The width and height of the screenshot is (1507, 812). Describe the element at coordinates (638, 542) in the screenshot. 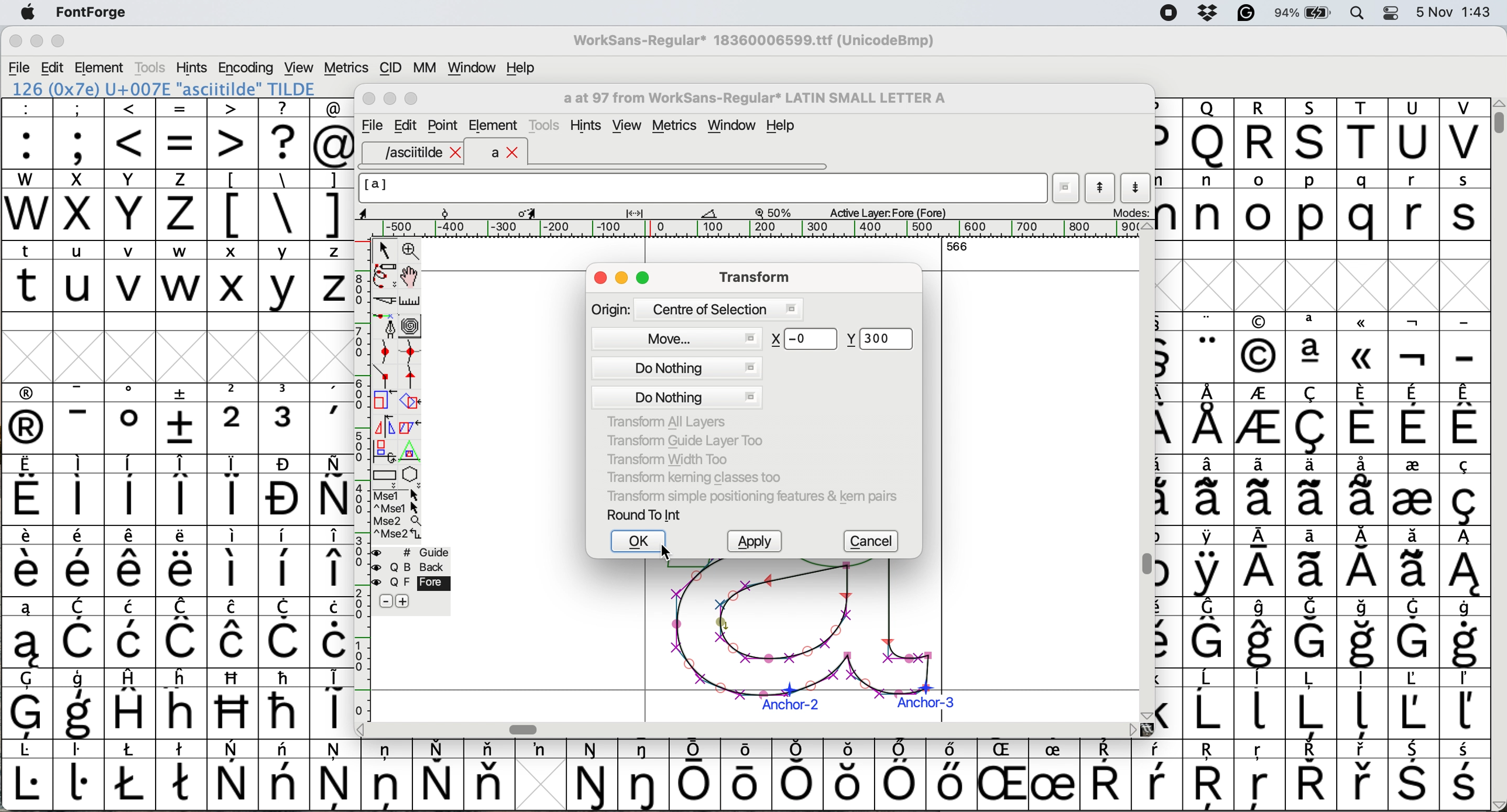

I see `ok` at that location.